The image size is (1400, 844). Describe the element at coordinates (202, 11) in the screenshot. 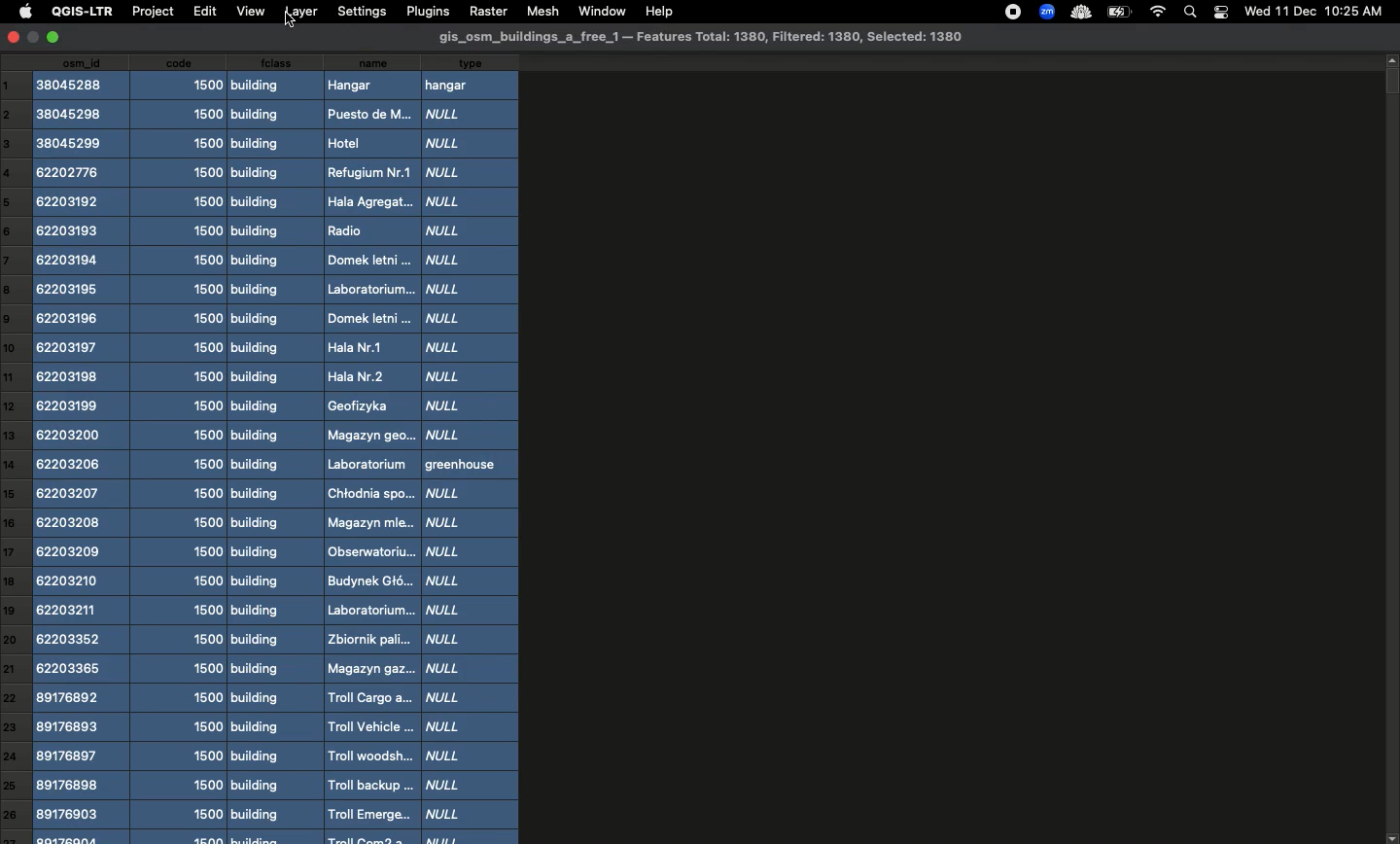

I see `Edit` at that location.